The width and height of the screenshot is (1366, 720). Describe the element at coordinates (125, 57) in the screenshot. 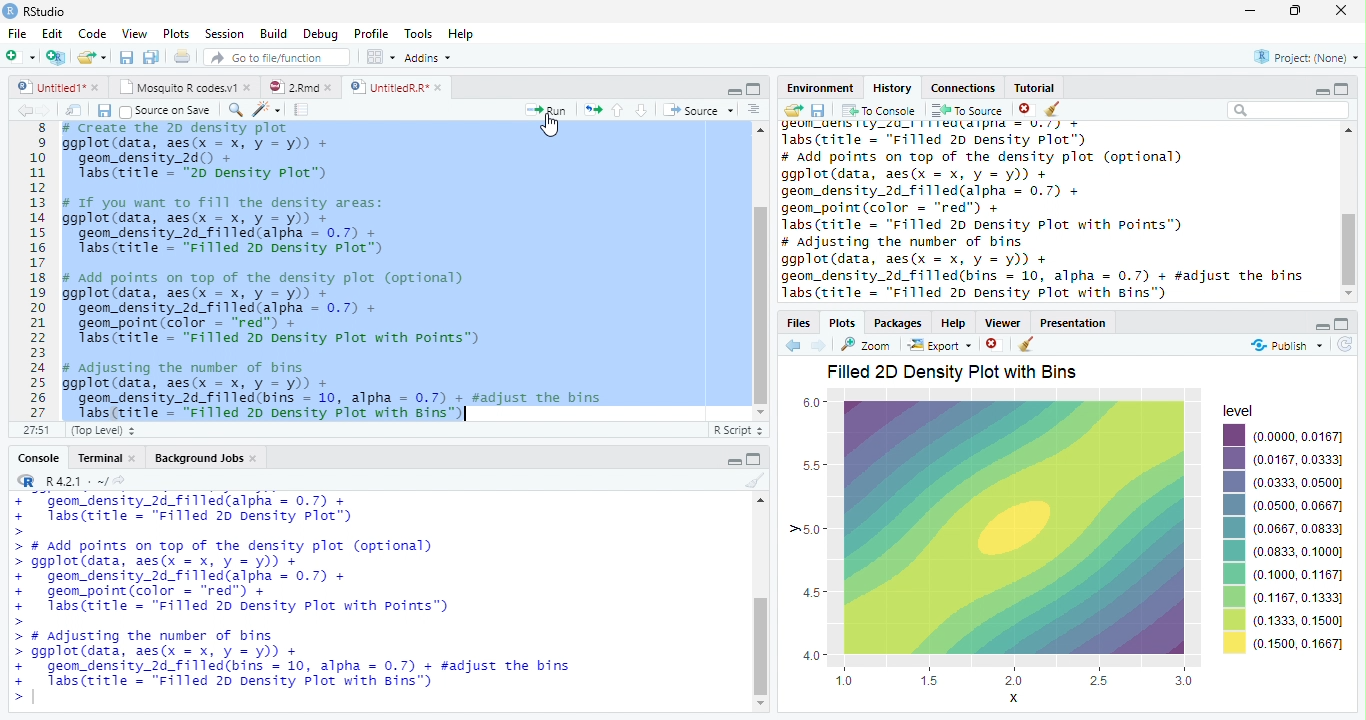

I see `save current document` at that location.